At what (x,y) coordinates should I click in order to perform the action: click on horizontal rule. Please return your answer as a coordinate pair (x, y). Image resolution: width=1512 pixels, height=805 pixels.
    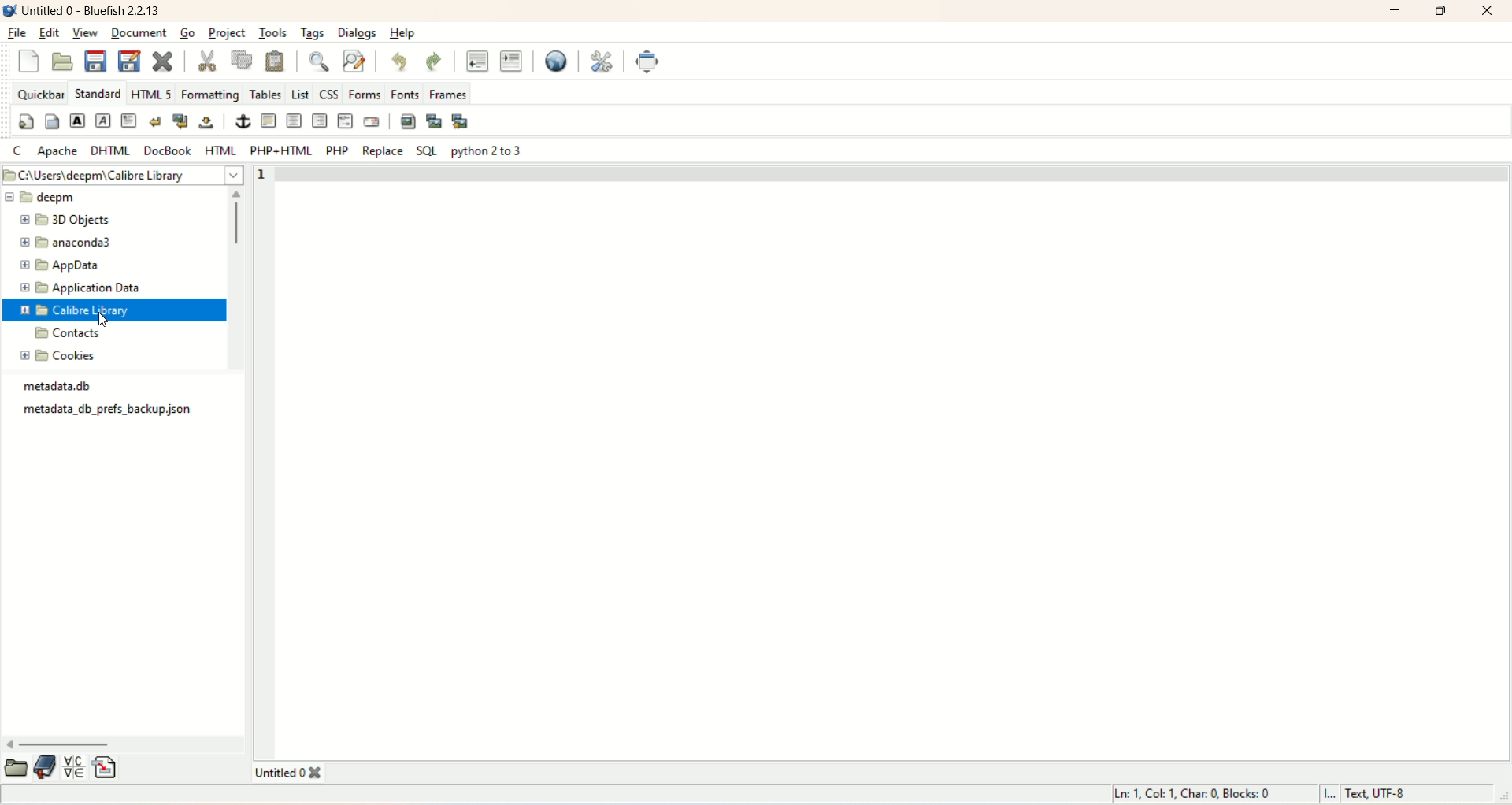
    Looking at the image, I should click on (270, 121).